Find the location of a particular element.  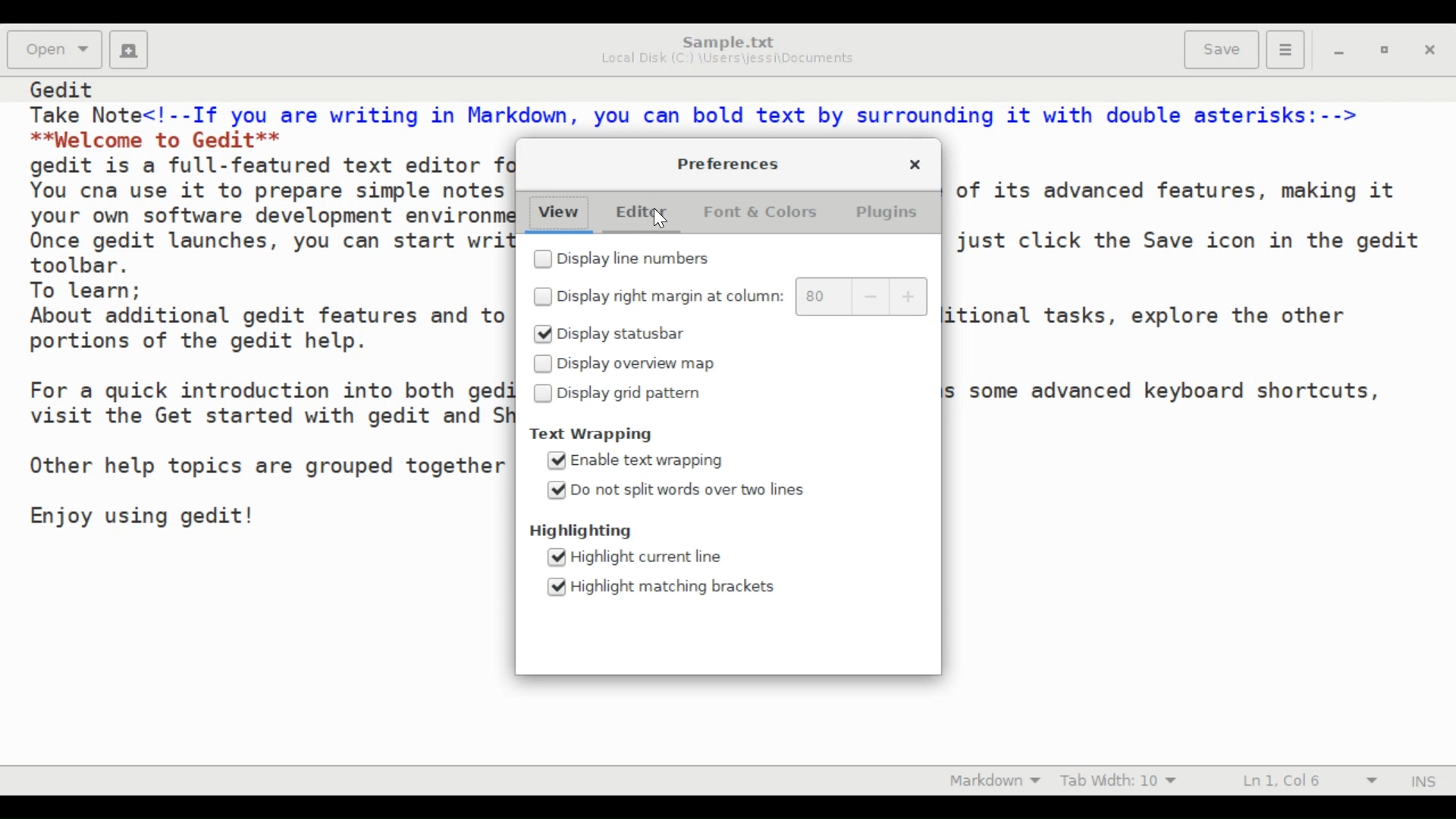

View (Current) is located at coordinates (560, 214).